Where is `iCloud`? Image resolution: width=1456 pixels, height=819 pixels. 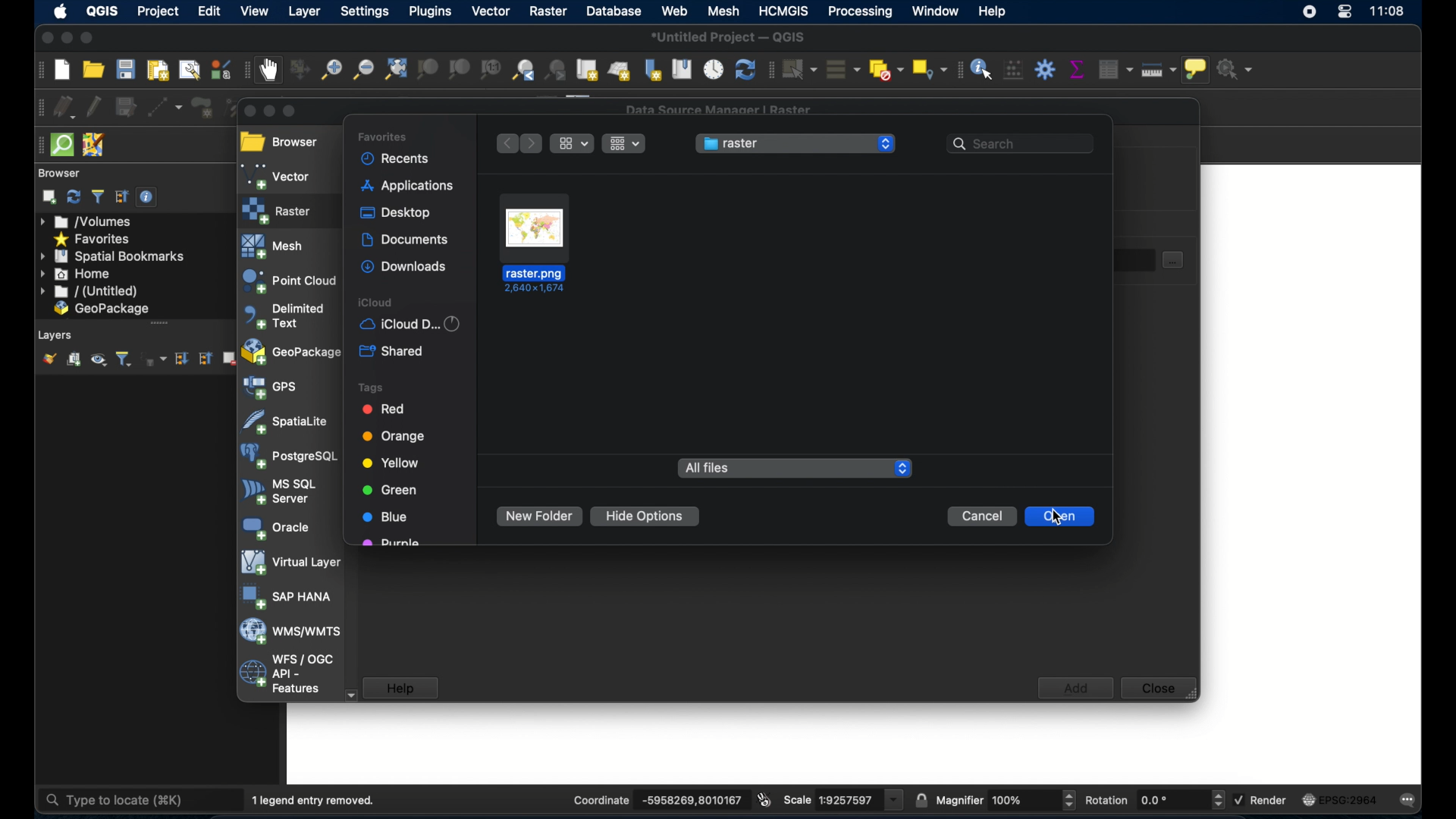 iCloud is located at coordinates (381, 301).